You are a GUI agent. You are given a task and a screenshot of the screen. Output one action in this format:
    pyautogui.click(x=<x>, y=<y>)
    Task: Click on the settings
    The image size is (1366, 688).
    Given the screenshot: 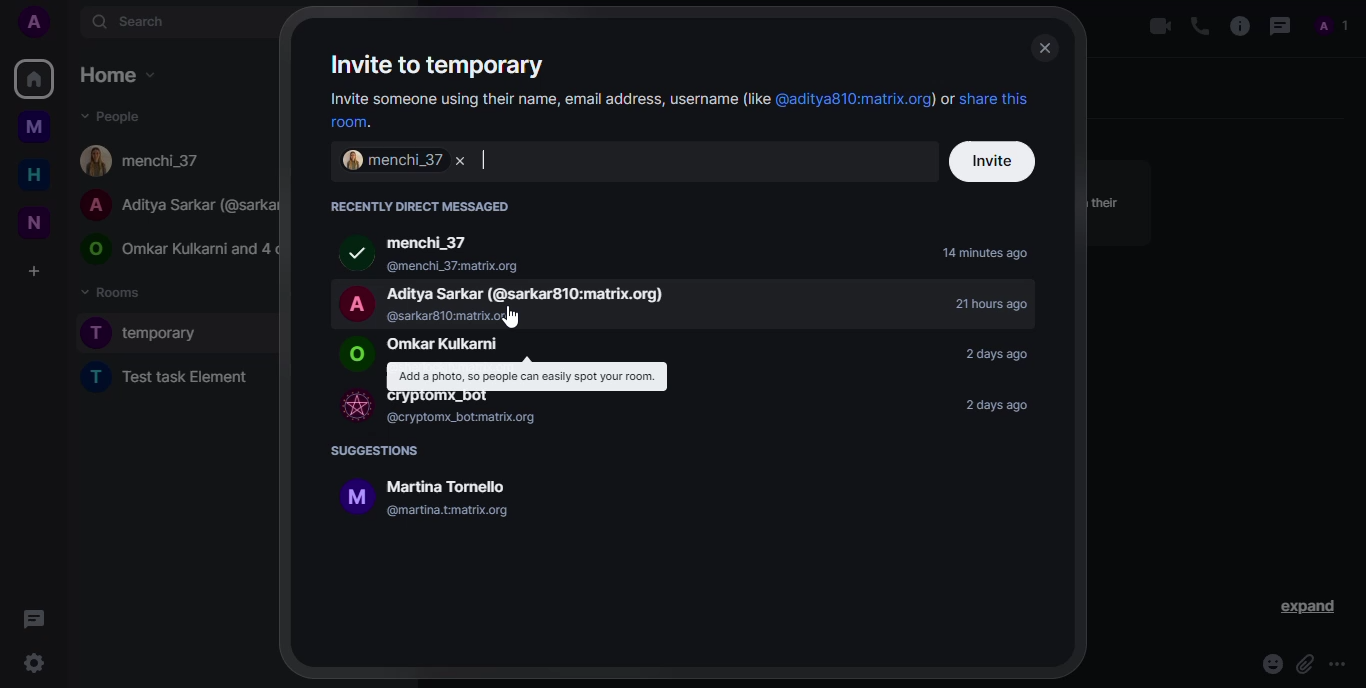 What is the action you would take?
    pyautogui.click(x=34, y=663)
    